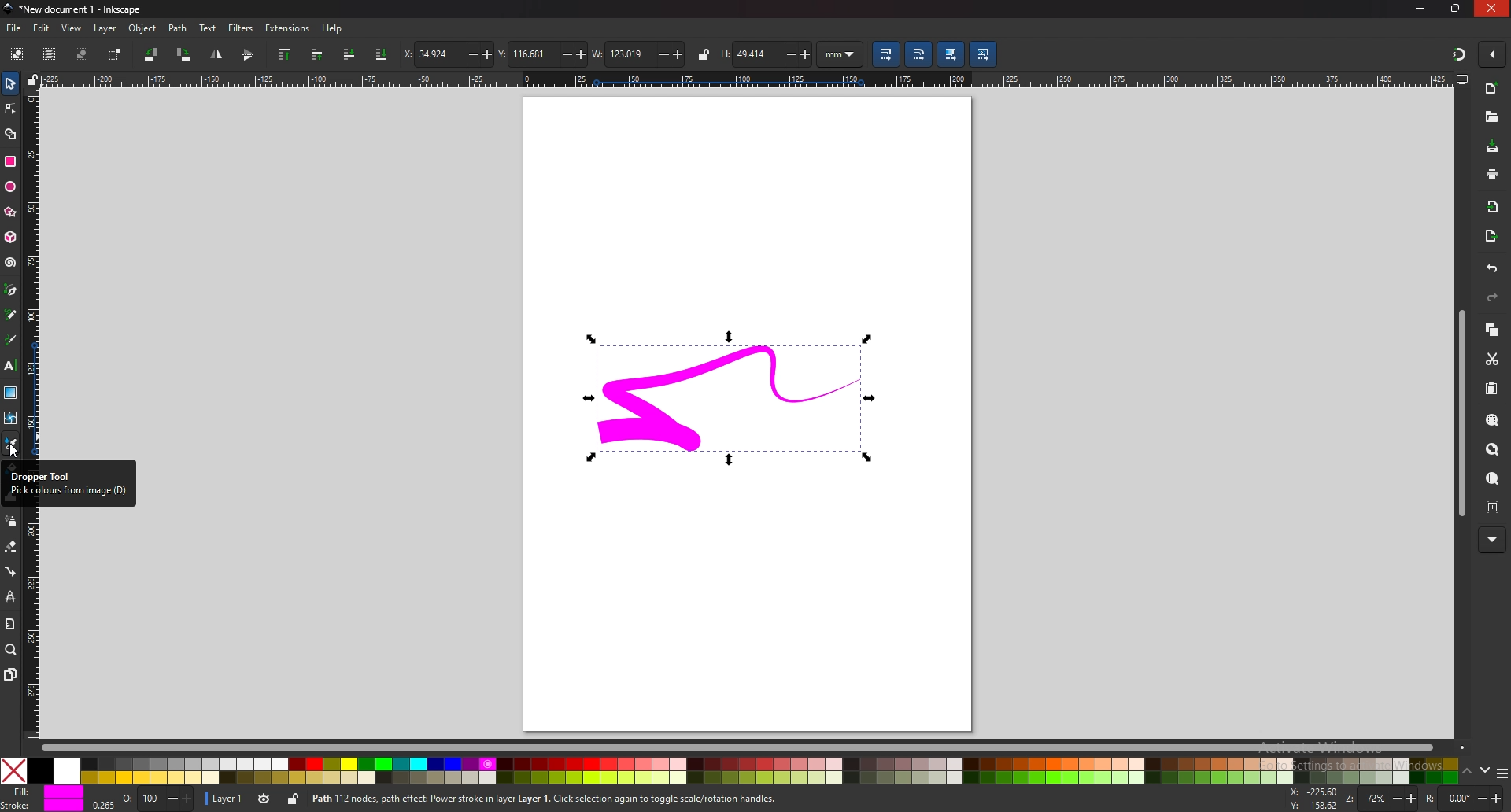 This screenshot has height=812, width=1511. Describe the element at coordinates (11, 572) in the screenshot. I see `connector` at that location.